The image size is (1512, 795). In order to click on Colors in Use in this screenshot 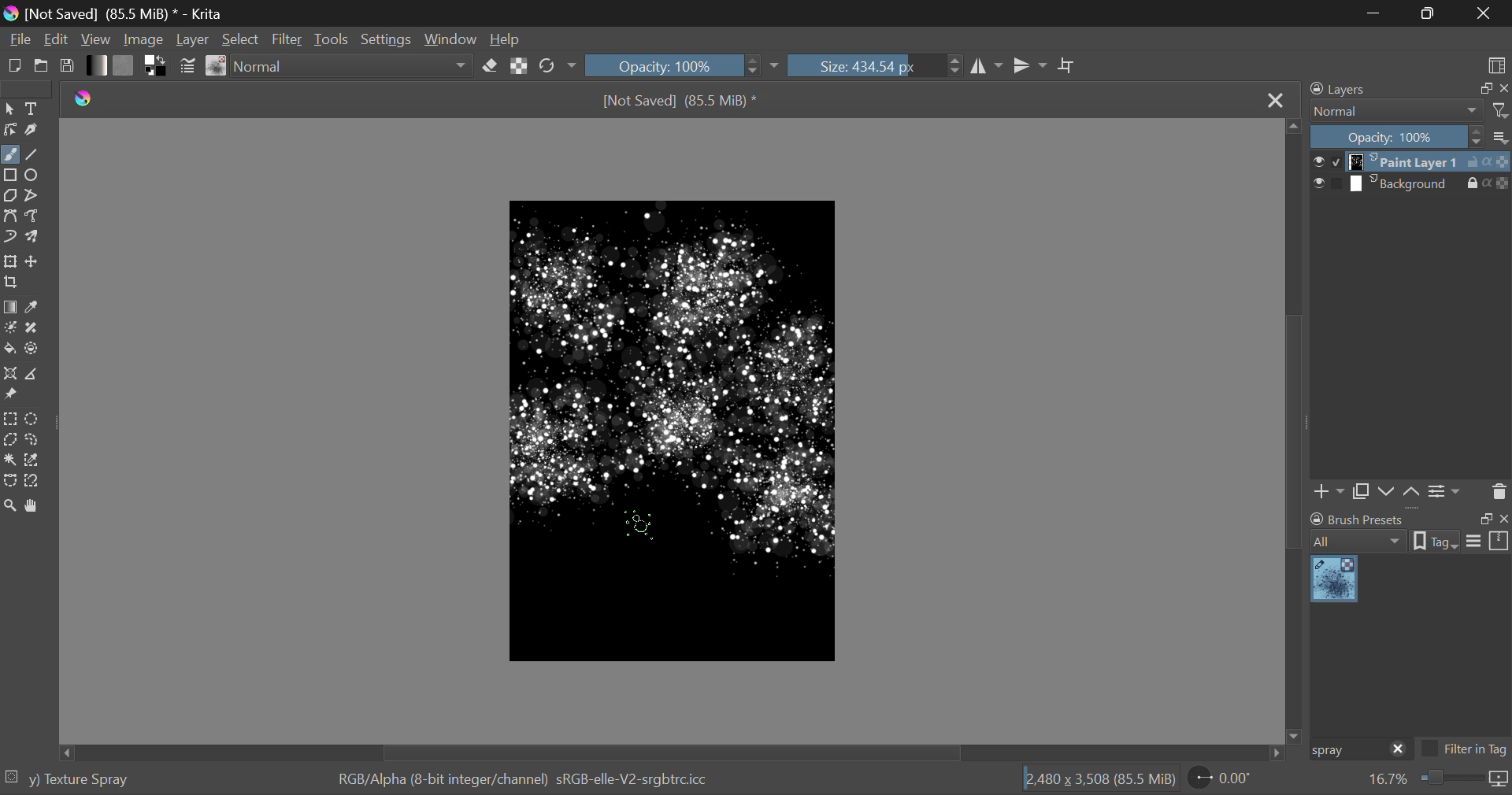, I will do `click(157, 66)`.